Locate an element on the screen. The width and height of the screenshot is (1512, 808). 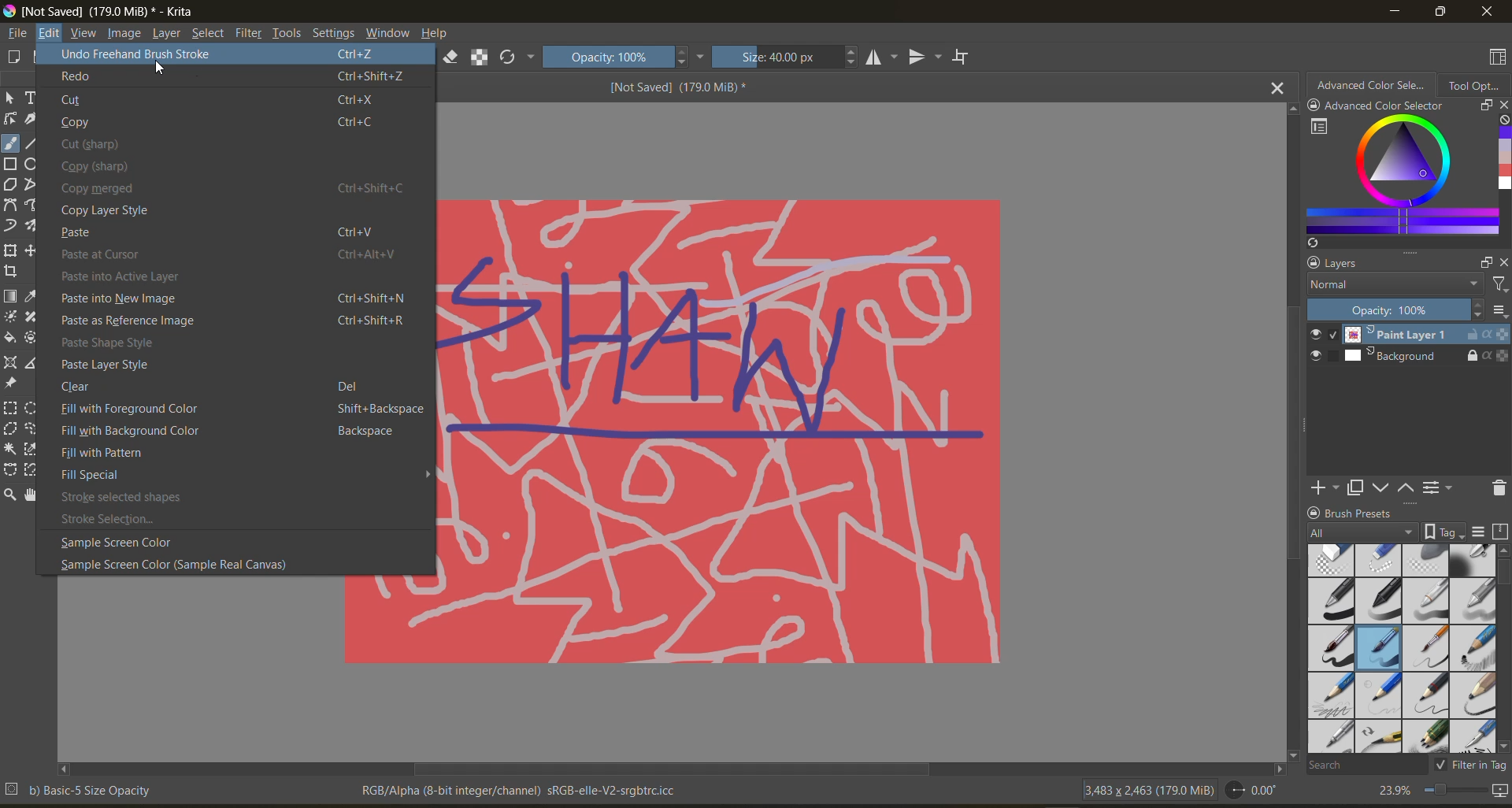
brush presets is located at coordinates (1399, 650).